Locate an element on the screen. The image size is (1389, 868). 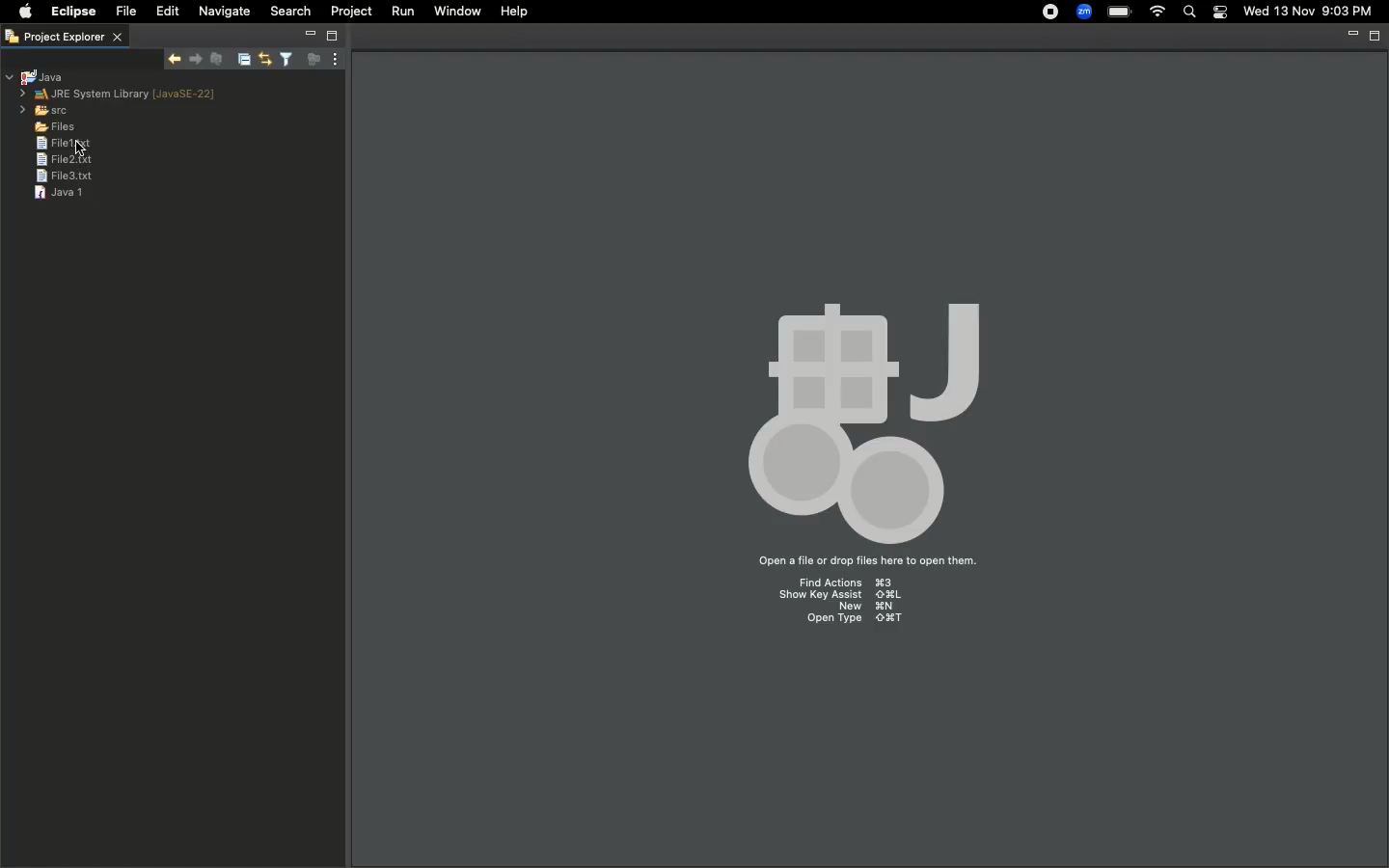
Internet is located at coordinates (1158, 12).